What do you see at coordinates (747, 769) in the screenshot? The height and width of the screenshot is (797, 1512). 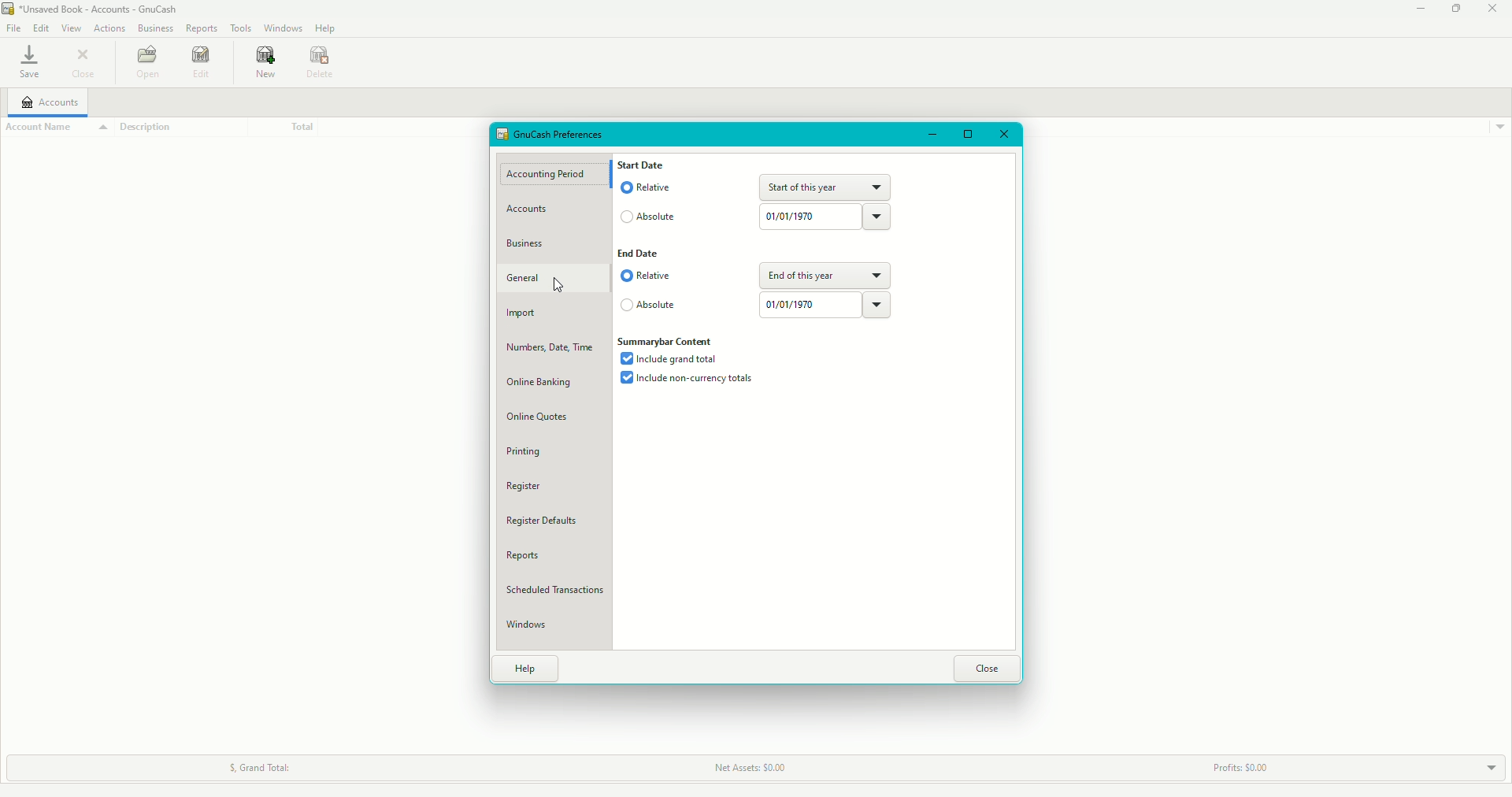 I see `Net Assets` at bounding box center [747, 769].